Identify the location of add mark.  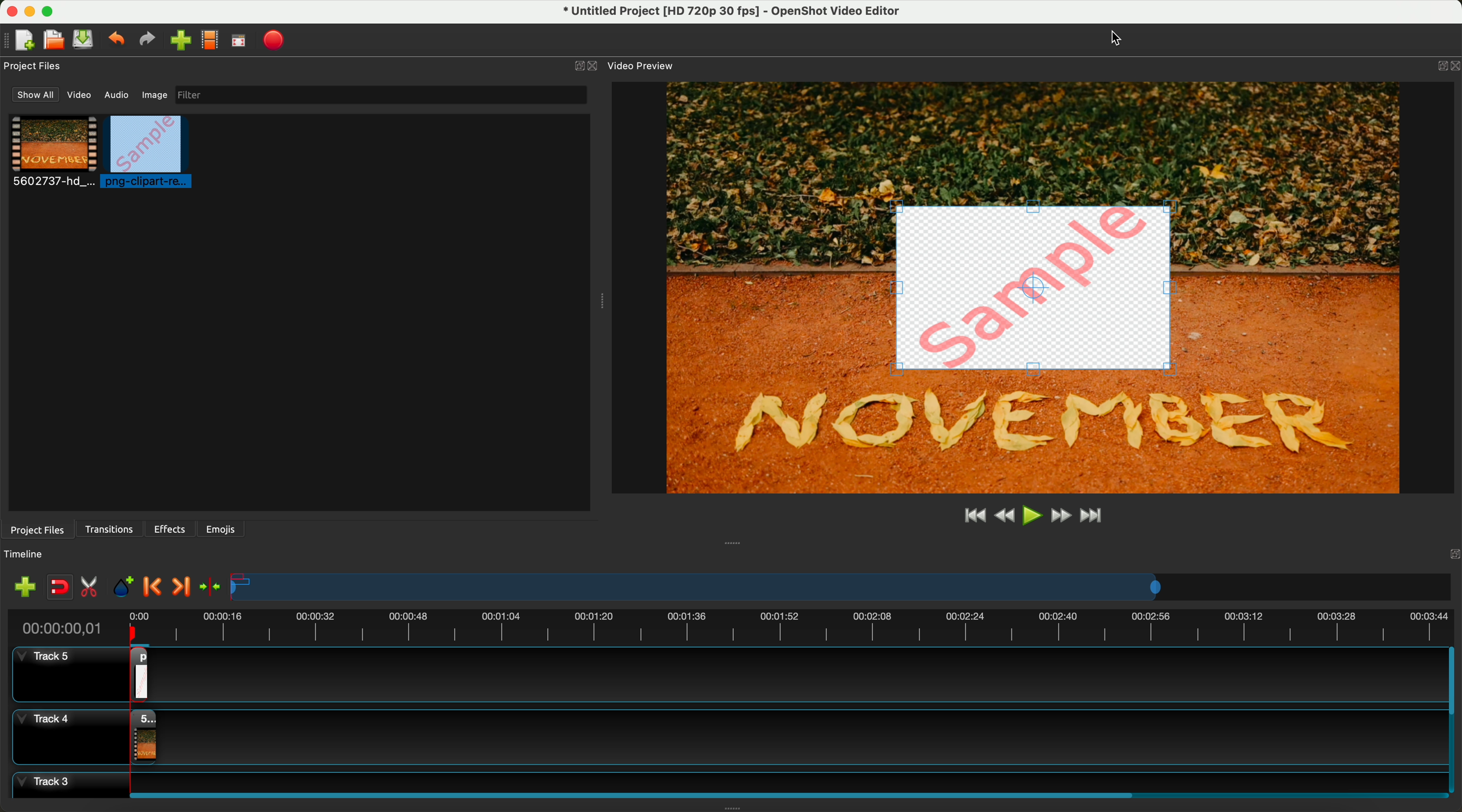
(126, 589).